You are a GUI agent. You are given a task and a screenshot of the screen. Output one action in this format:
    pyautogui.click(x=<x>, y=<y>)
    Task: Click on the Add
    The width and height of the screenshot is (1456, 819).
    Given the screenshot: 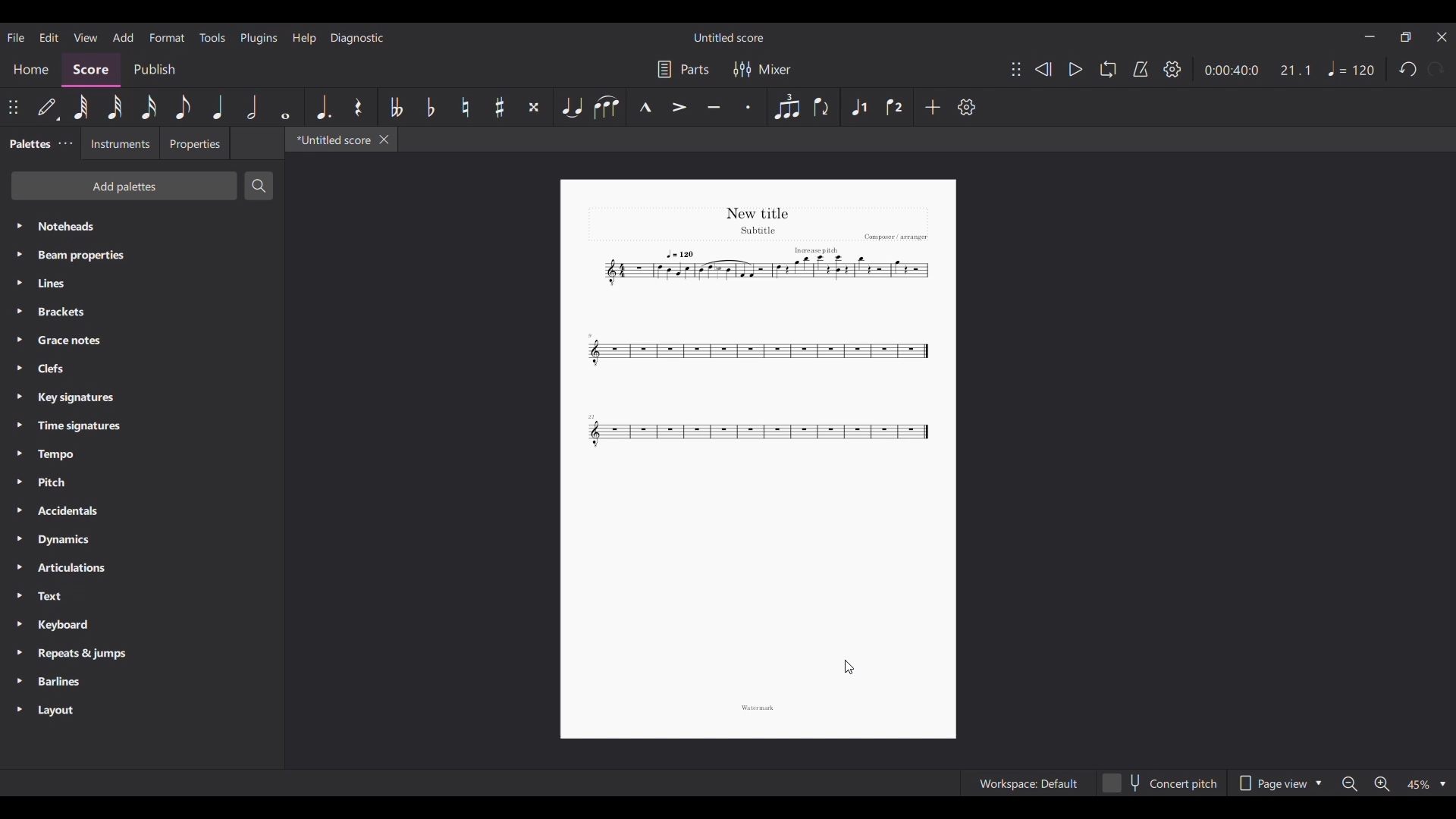 What is the action you would take?
    pyautogui.click(x=932, y=107)
    